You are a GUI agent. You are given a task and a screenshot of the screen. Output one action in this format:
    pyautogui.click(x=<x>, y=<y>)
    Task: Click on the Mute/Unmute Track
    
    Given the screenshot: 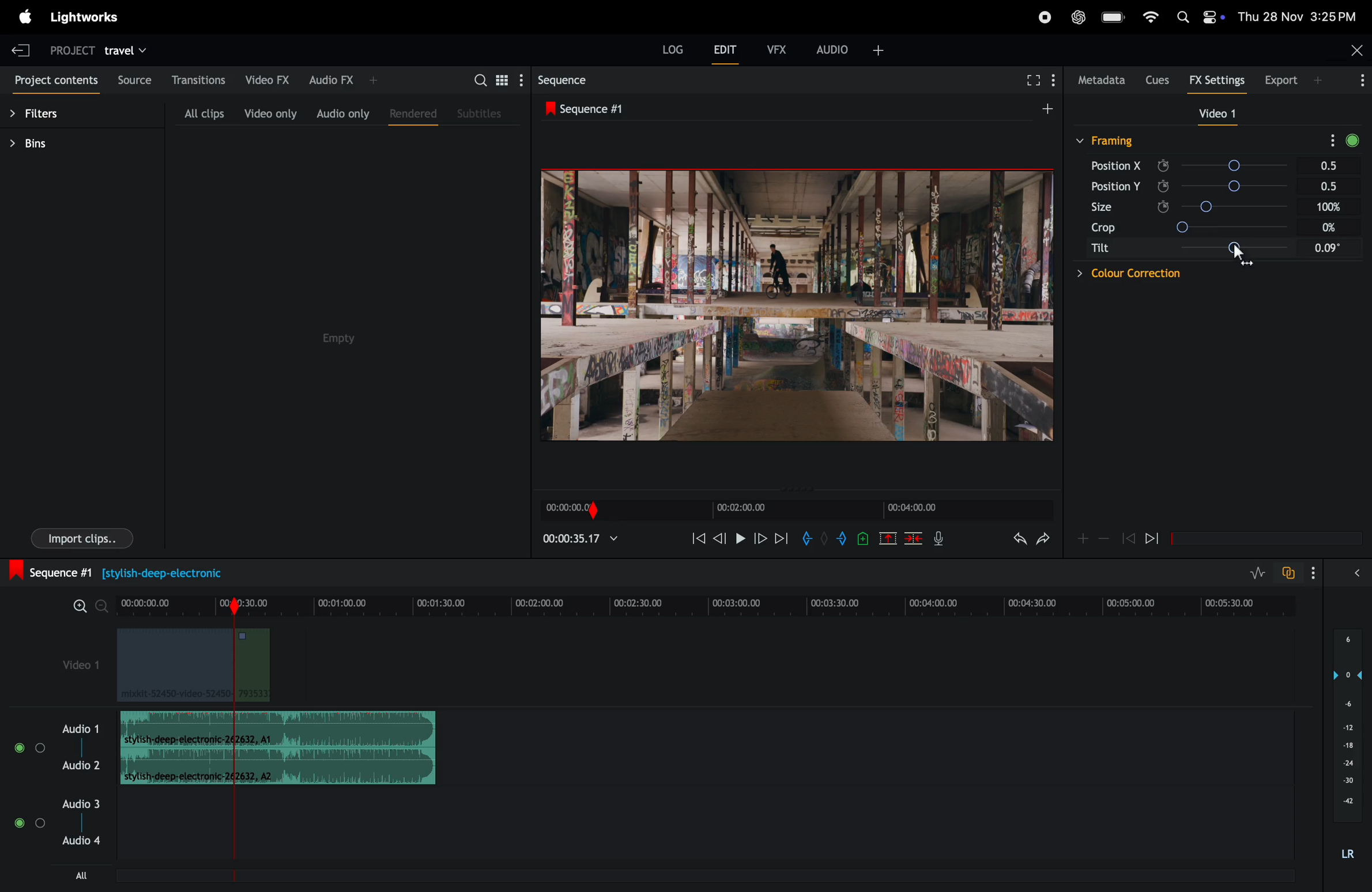 What is the action you would take?
    pyautogui.click(x=20, y=825)
    